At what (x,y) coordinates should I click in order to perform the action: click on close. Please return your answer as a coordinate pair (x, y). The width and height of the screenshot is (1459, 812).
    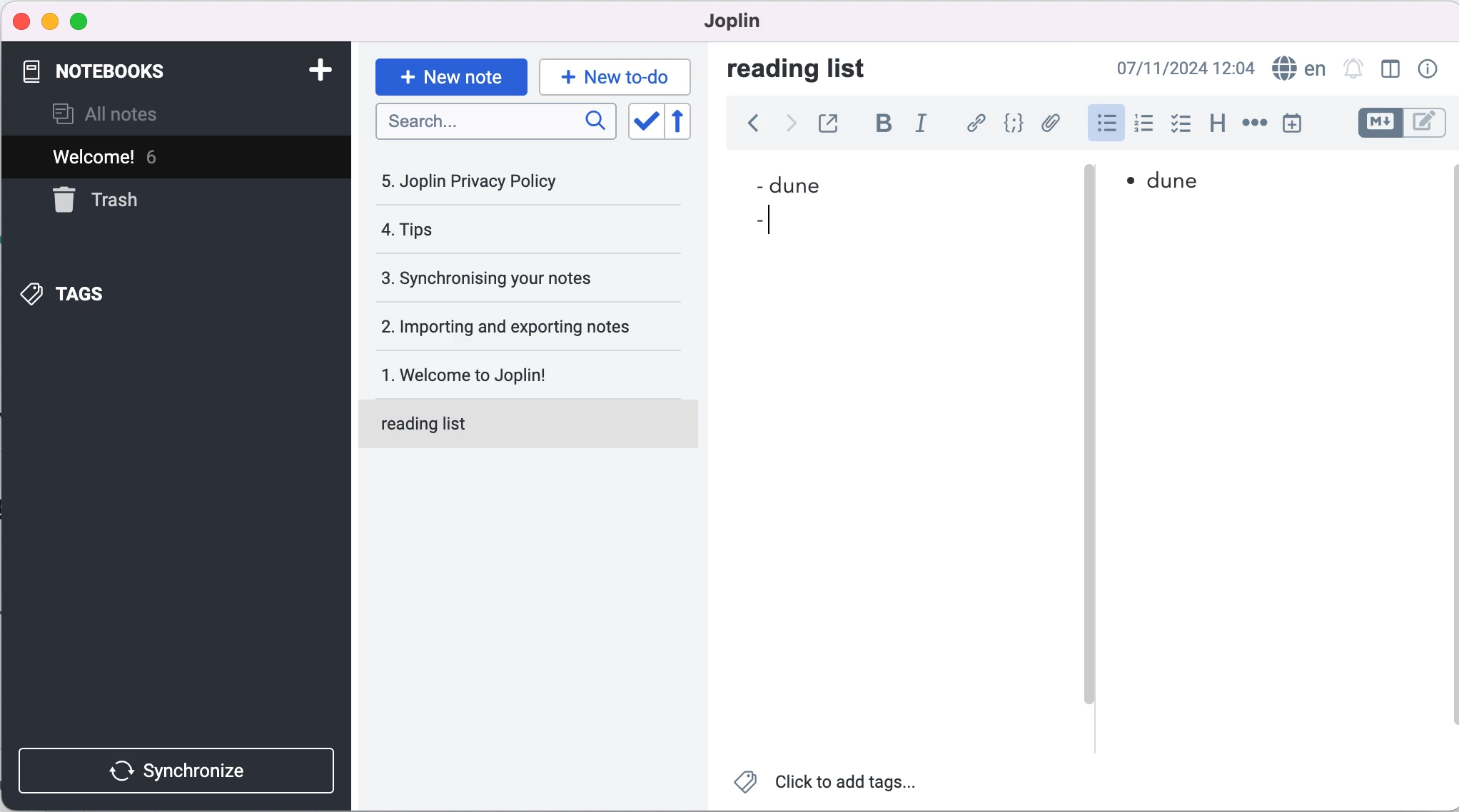
    Looking at the image, I should click on (22, 19).